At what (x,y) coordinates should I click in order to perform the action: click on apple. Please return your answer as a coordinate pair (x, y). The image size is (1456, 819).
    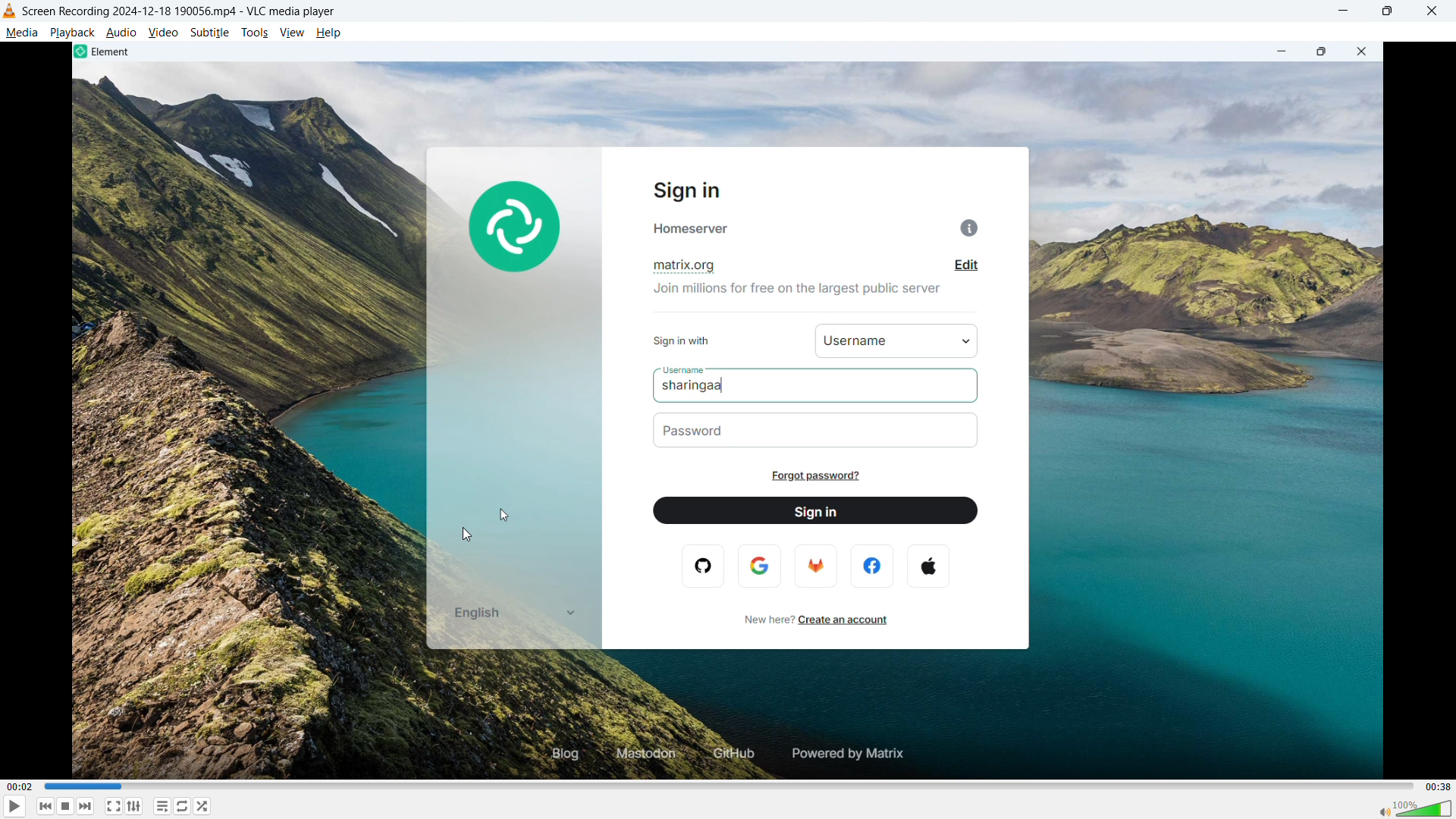
    Looking at the image, I should click on (931, 564).